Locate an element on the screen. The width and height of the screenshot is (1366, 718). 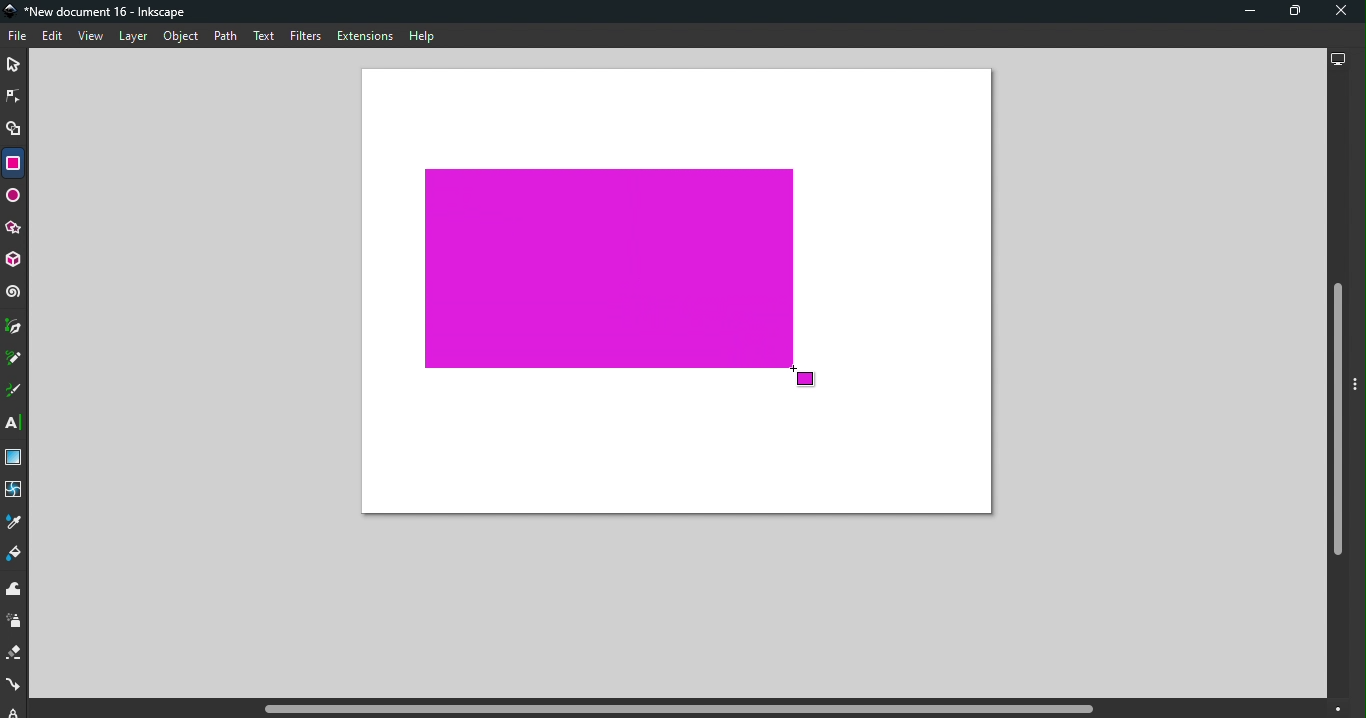
Pen tool is located at coordinates (15, 327).